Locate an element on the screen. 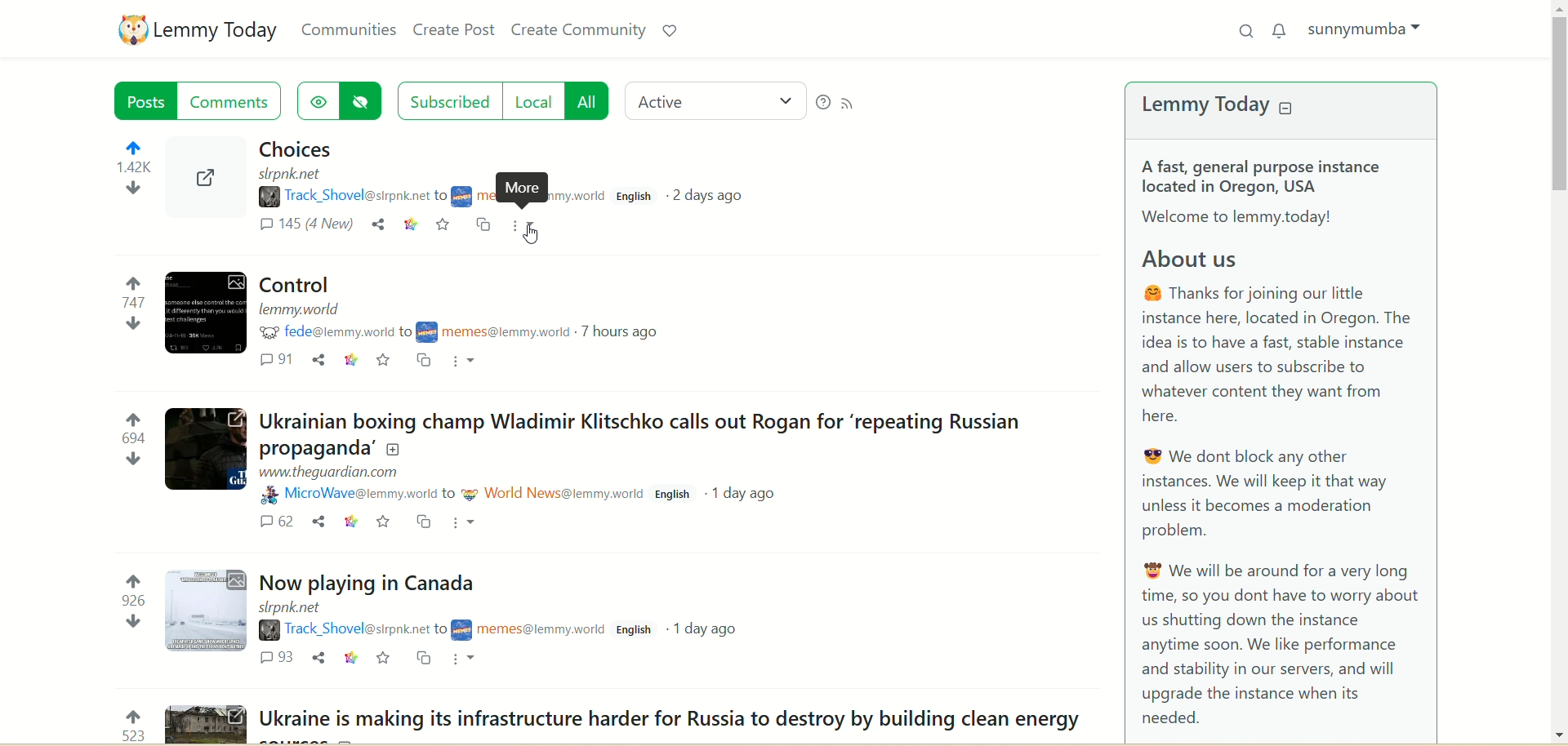 This screenshot has width=1568, height=746. username is located at coordinates (331, 333).